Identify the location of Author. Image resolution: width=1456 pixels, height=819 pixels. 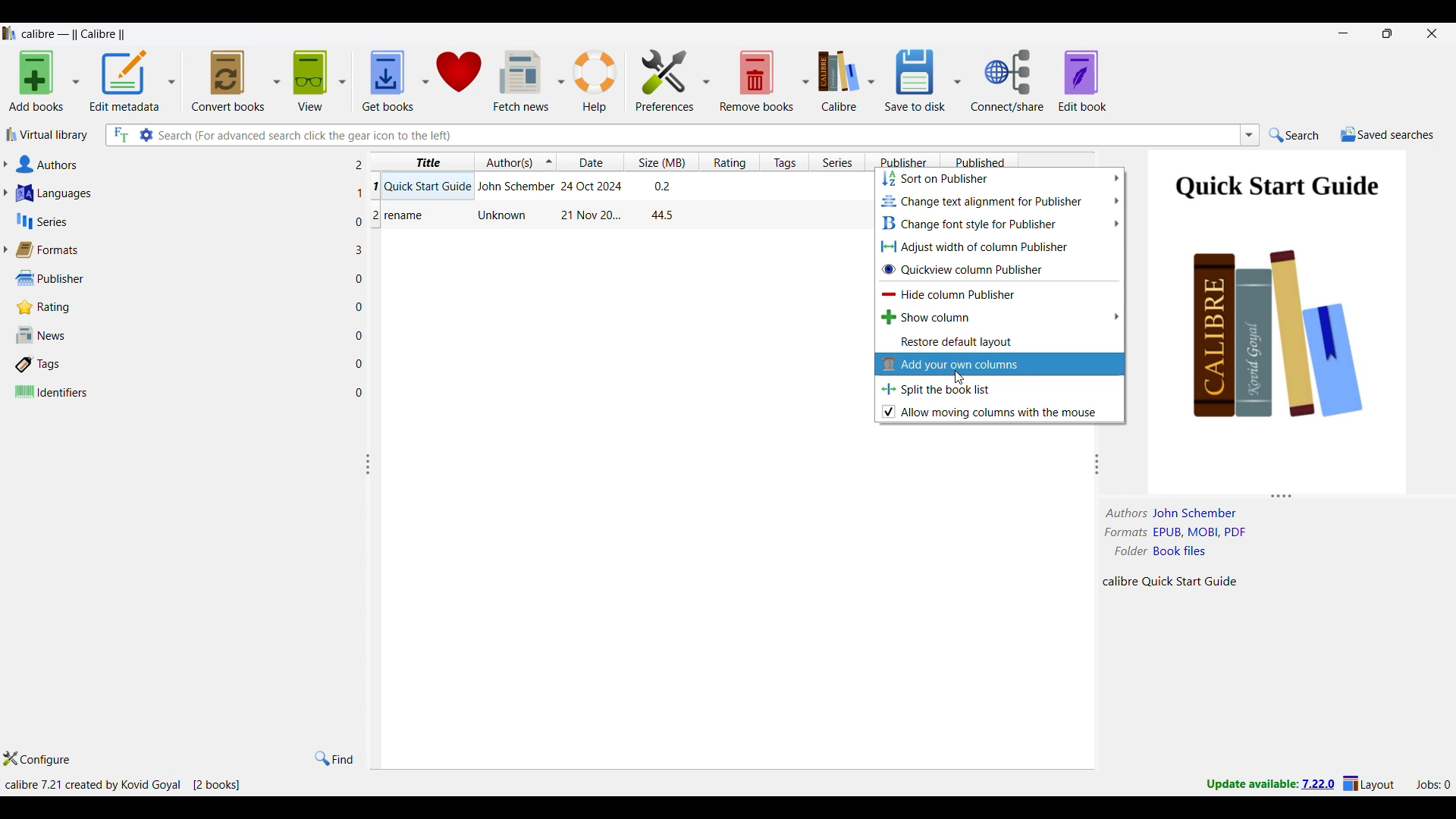
(514, 187).